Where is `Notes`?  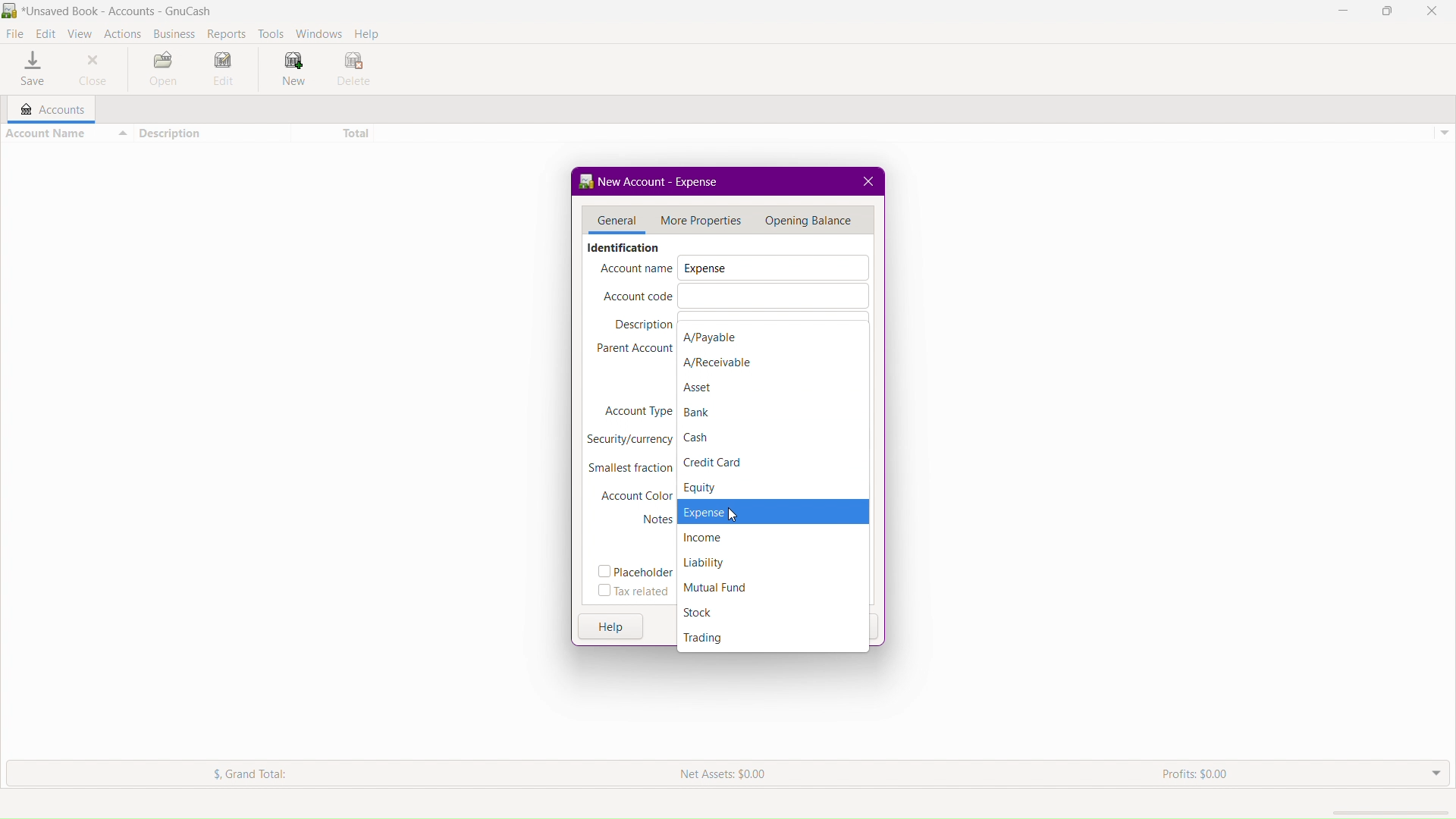
Notes is located at coordinates (652, 523).